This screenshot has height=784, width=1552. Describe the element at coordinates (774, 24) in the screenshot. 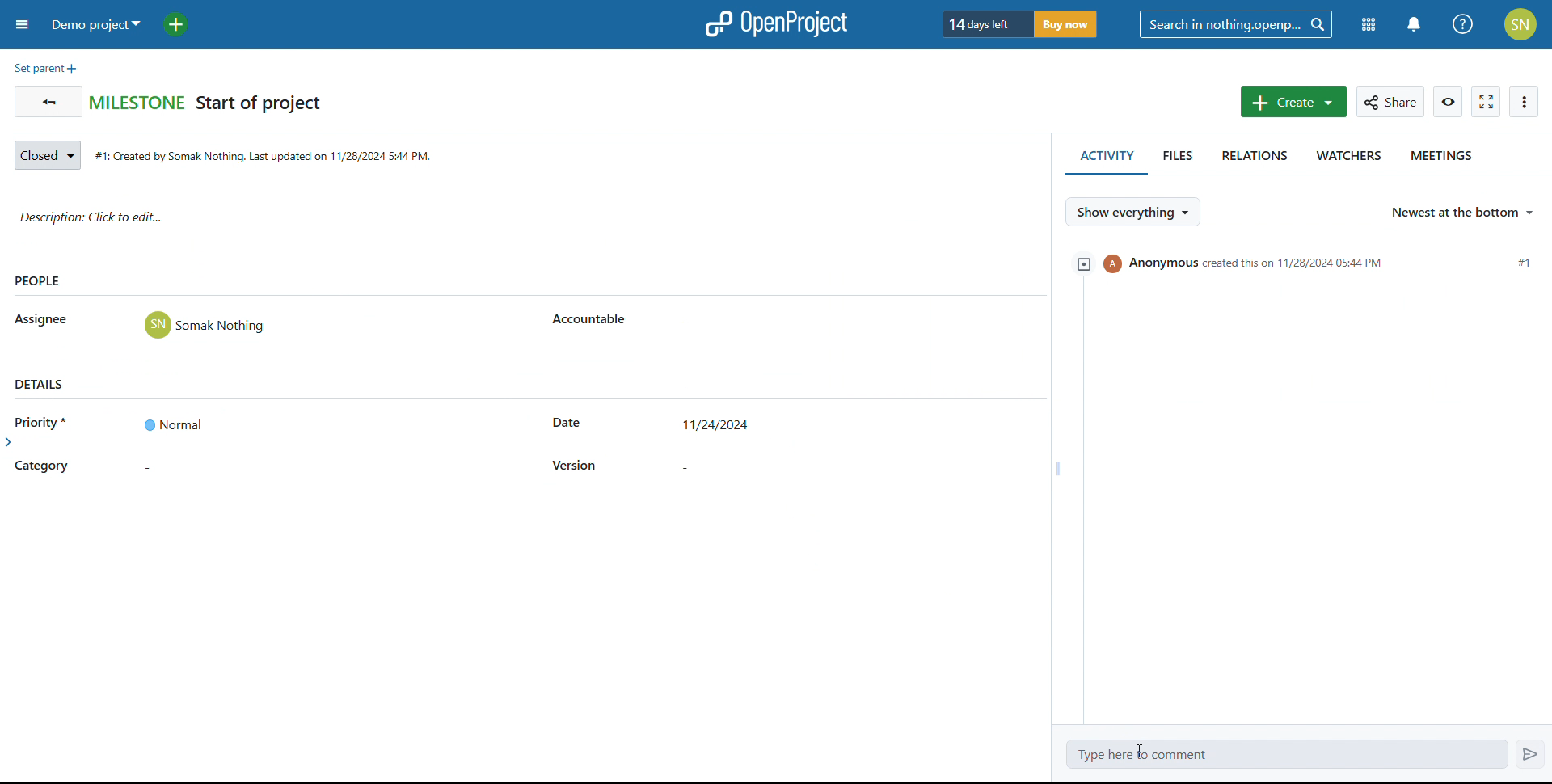

I see `logo` at that location.